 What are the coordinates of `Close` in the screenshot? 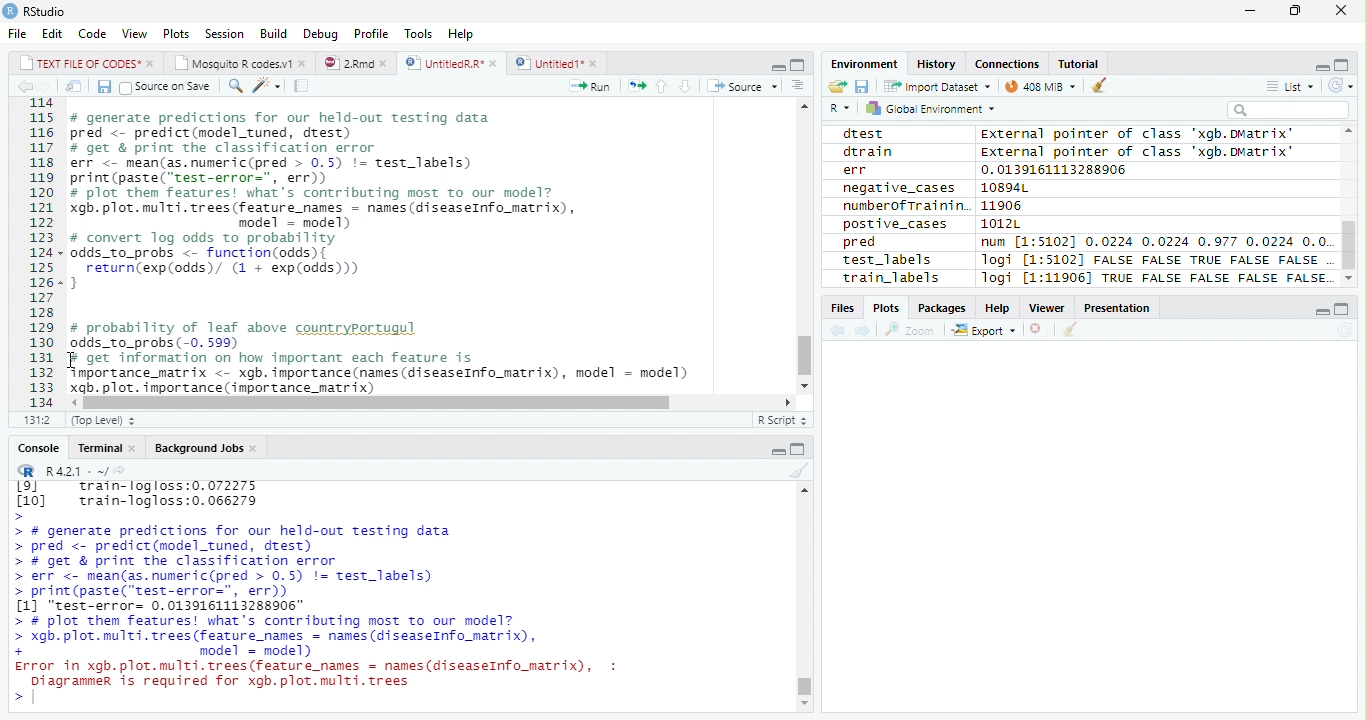 It's located at (1340, 11).